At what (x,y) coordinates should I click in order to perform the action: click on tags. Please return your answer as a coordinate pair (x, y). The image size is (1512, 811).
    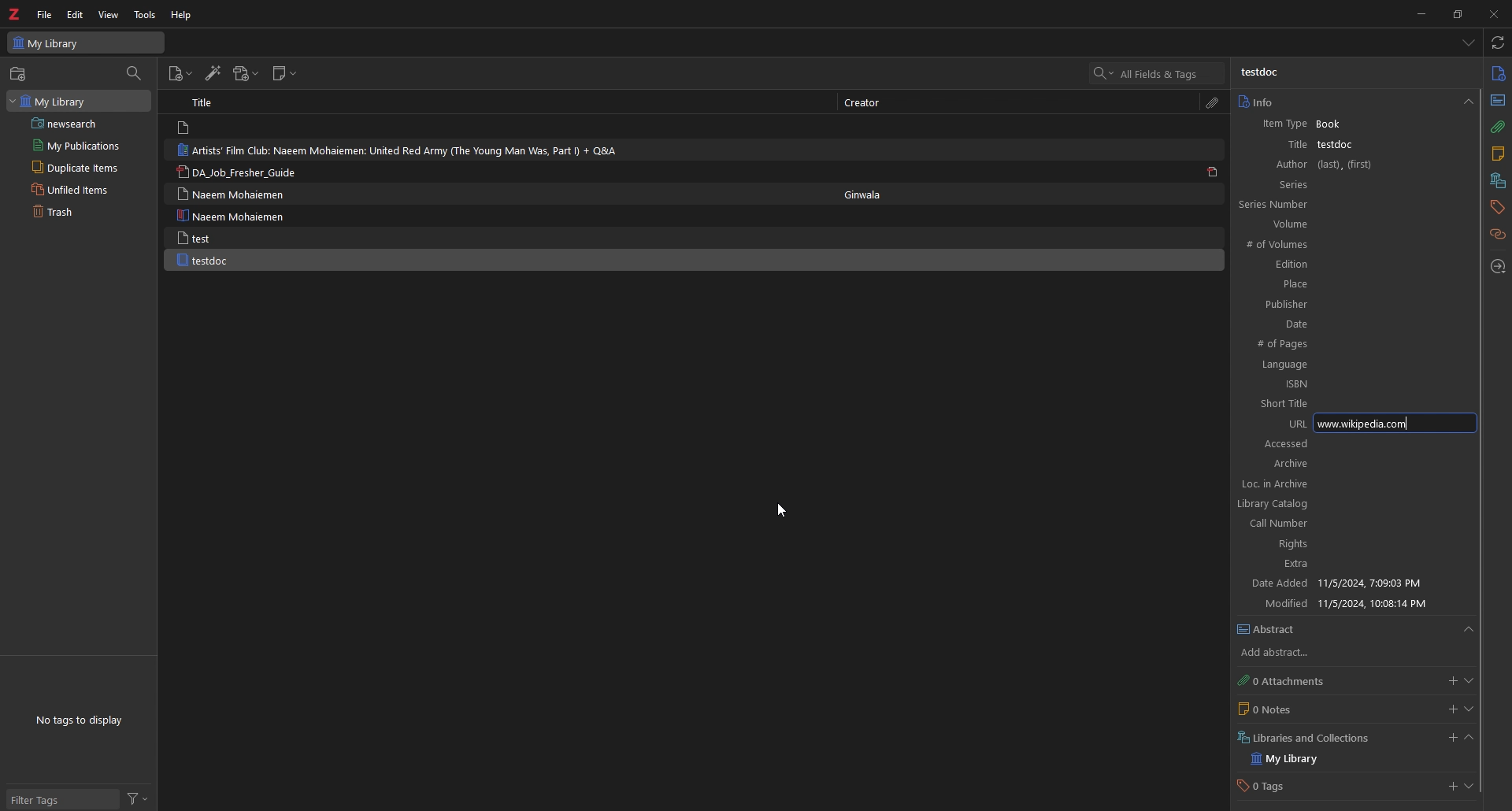
    Looking at the image, I should click on (1497, 207).